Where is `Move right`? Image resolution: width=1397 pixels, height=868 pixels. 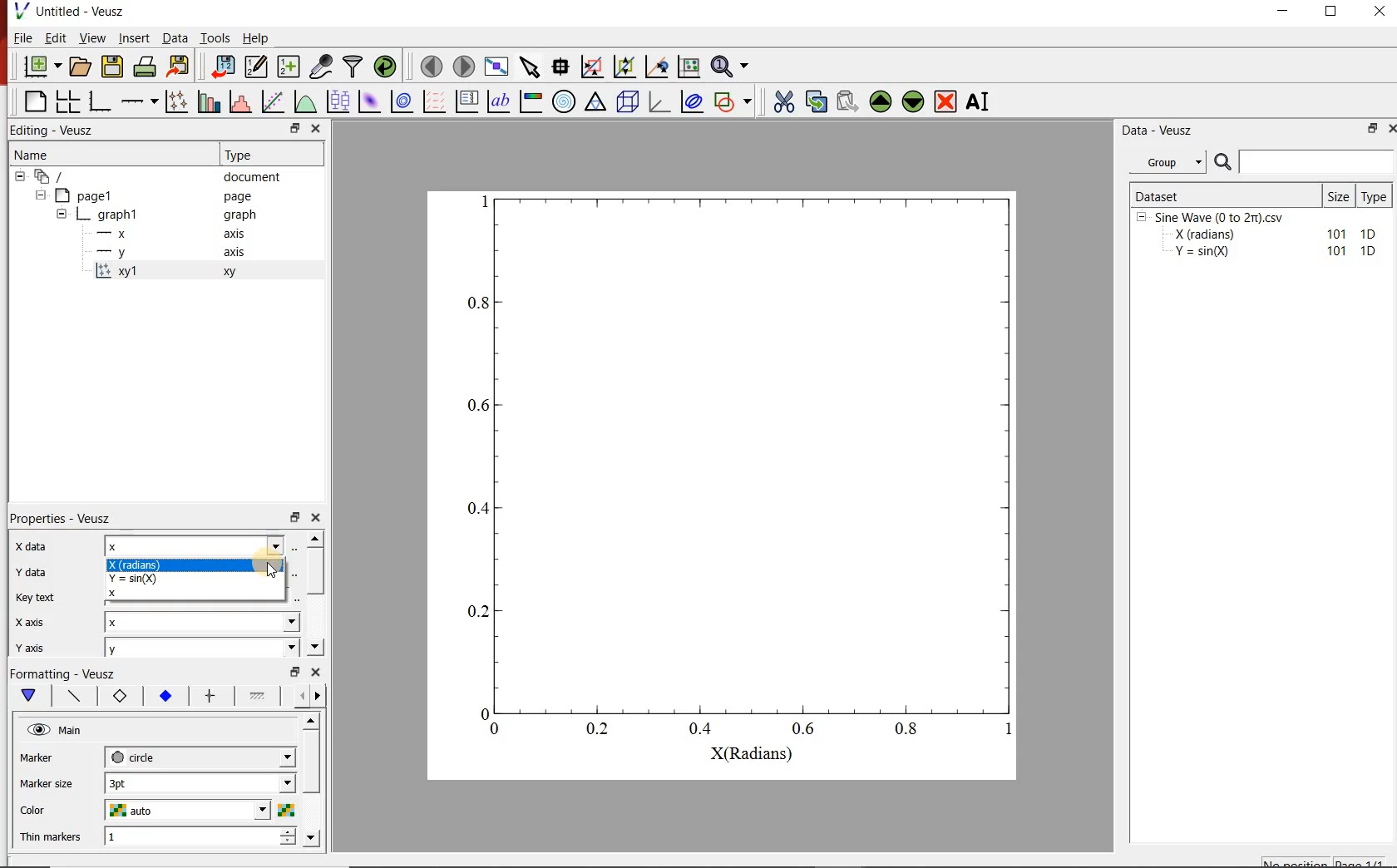
Move right is located at coordinates (320, 696).